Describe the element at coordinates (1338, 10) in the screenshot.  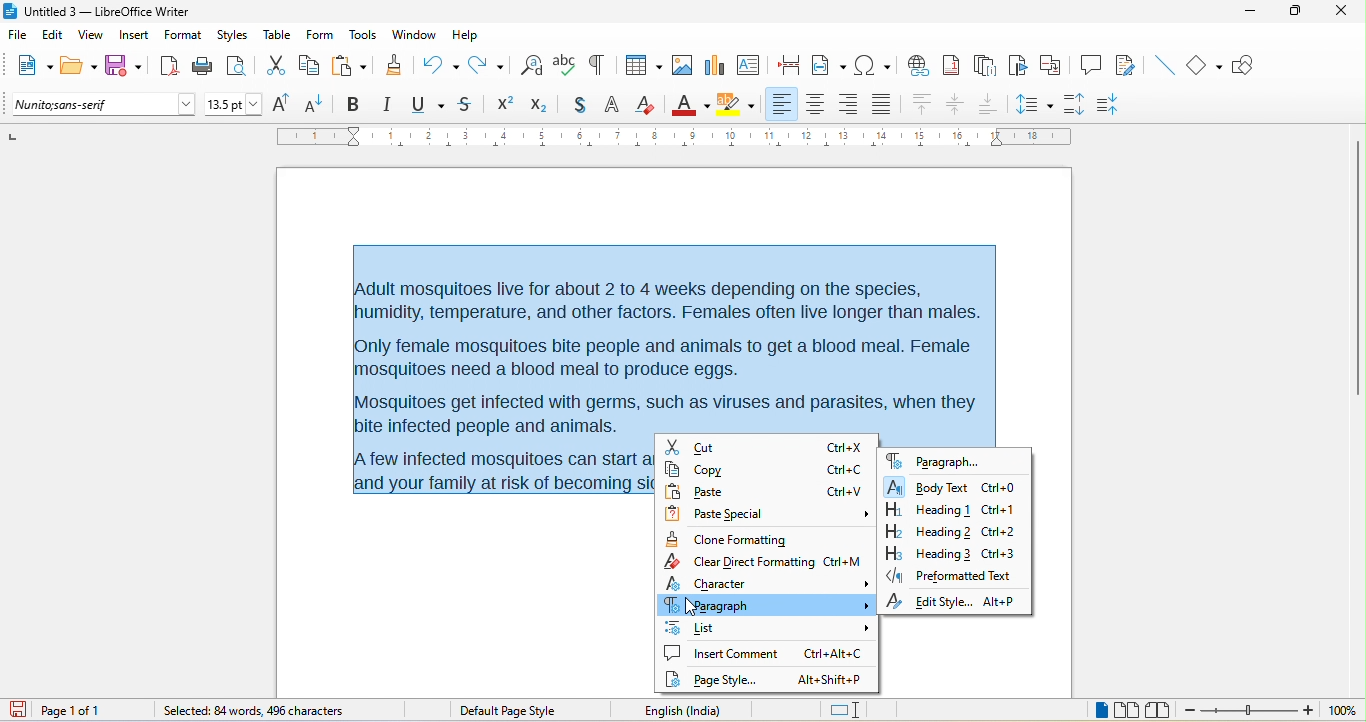
I see `close` at that location.